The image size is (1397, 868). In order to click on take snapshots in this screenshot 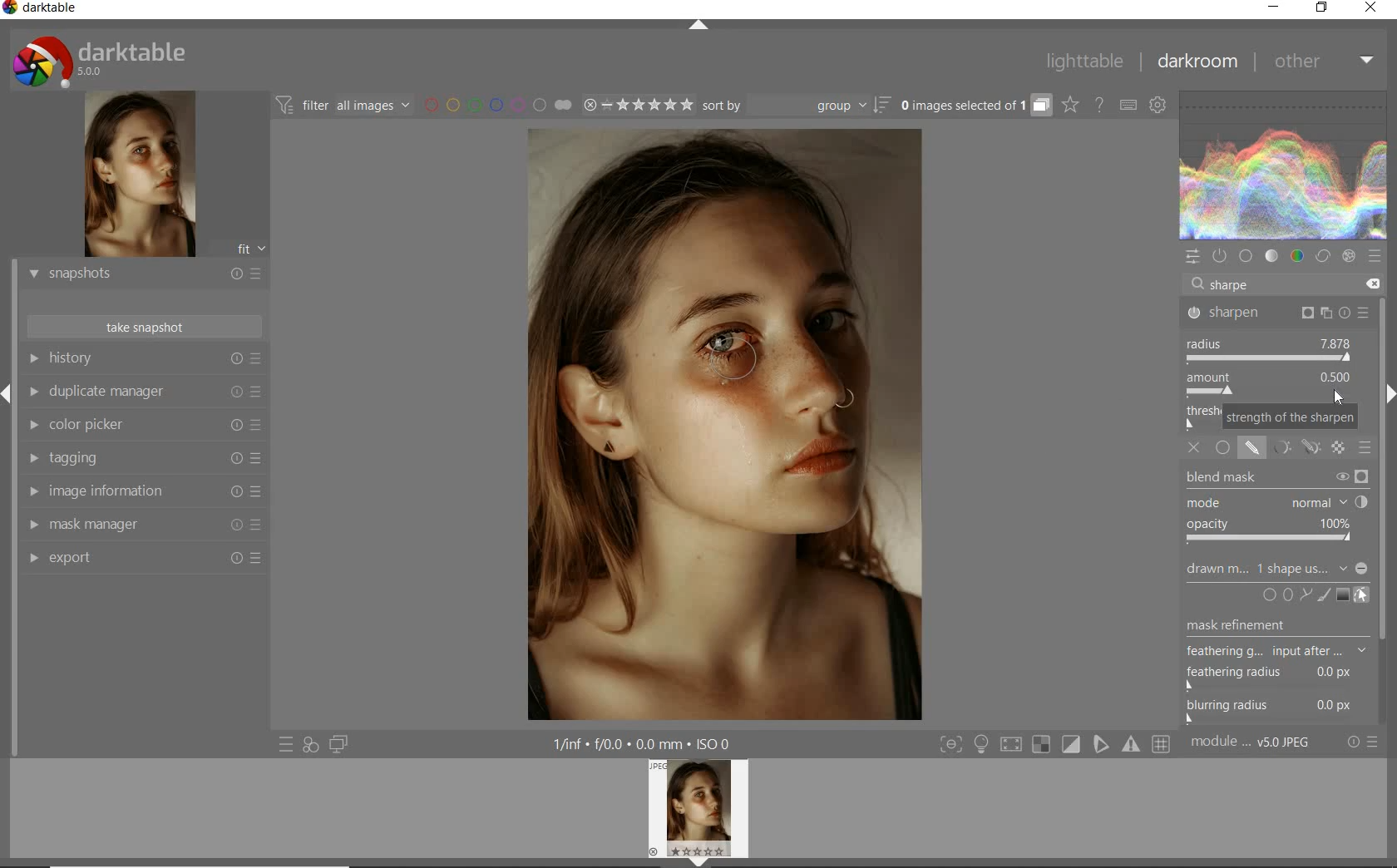, I will do `click(146, 327)`.